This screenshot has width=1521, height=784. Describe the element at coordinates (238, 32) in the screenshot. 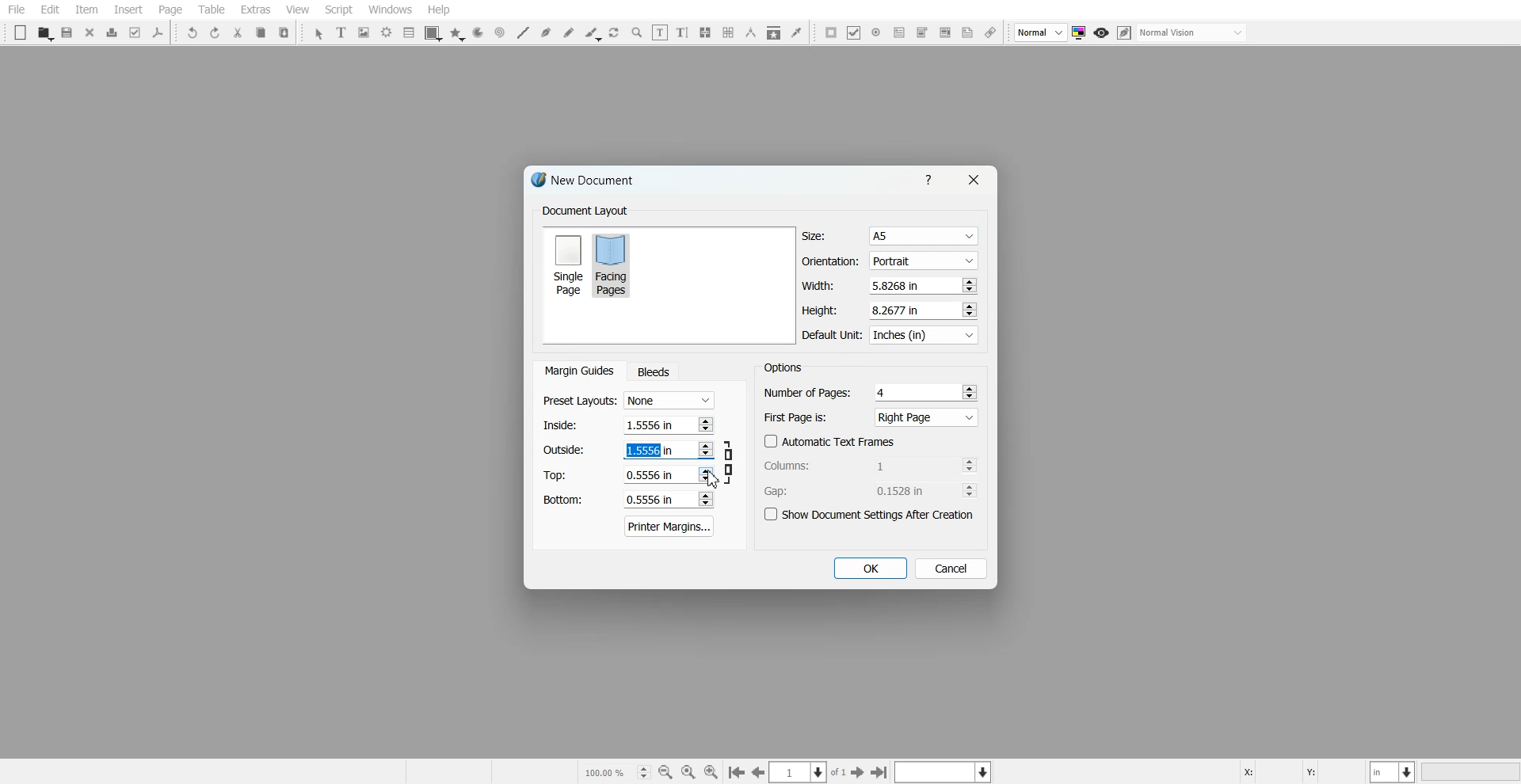

I see `Cut` at that location.